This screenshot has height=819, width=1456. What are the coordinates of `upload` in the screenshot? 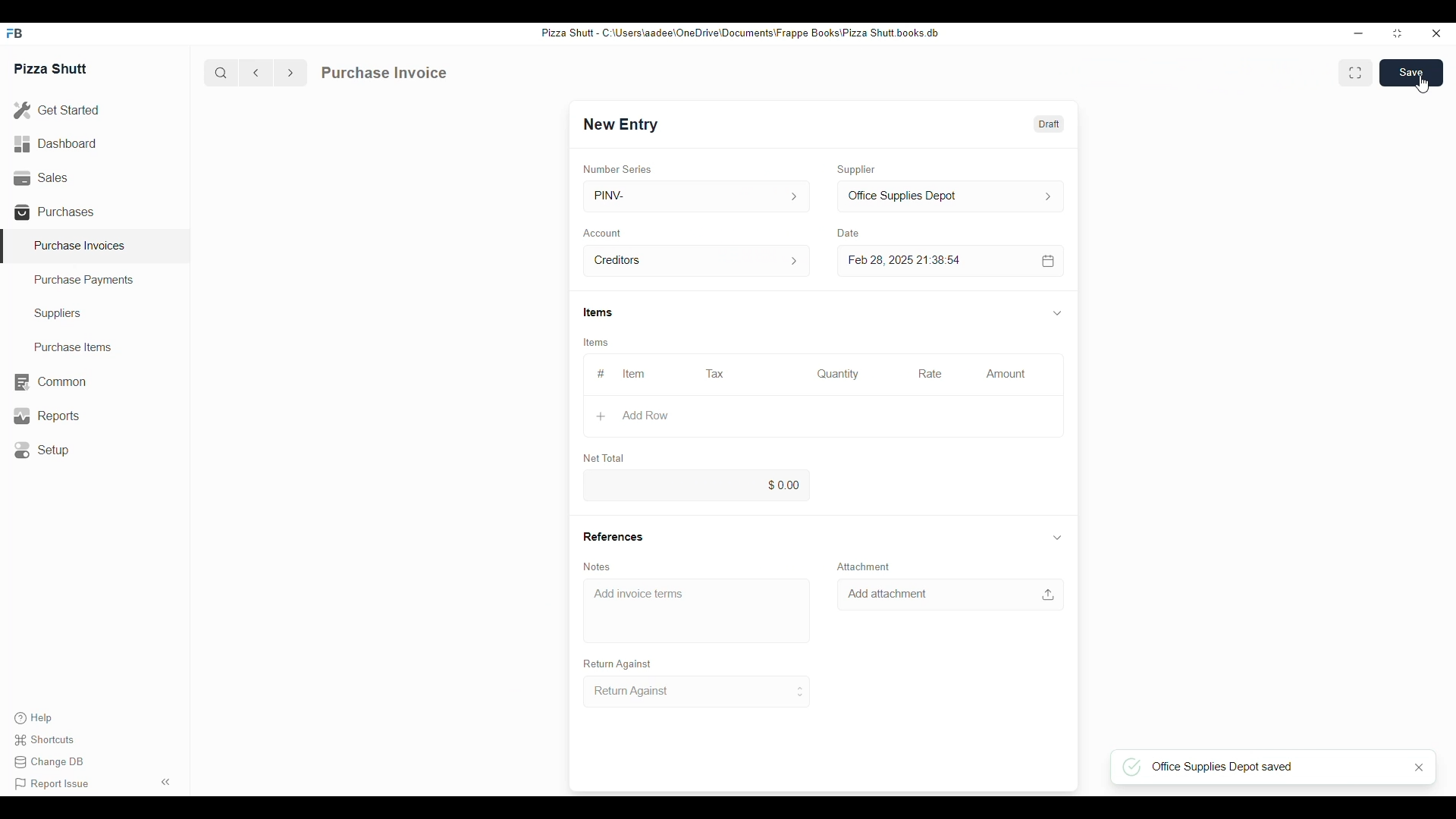 It's located at (1050, 595).